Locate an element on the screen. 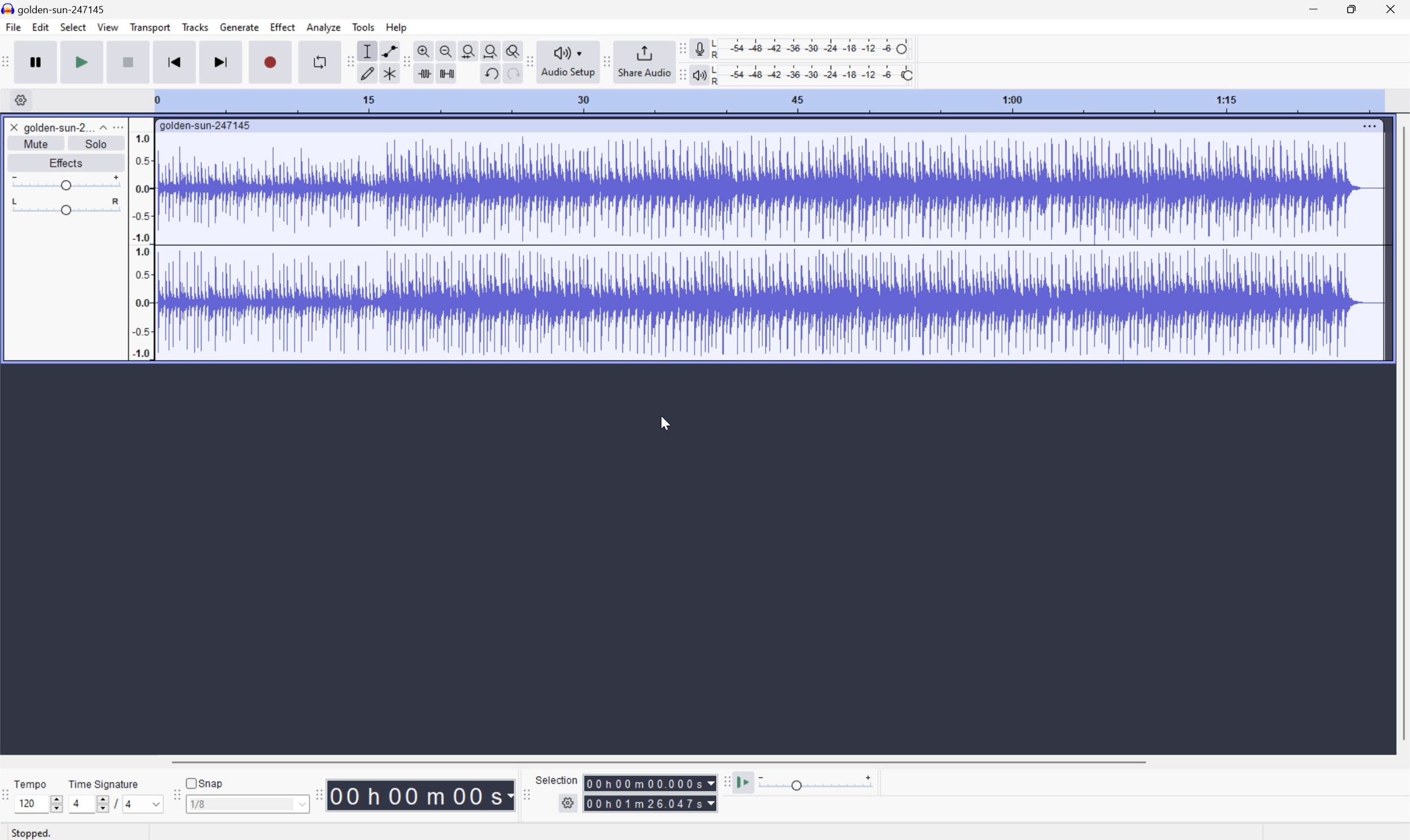  Stopped is located at coordinates (32, 833).